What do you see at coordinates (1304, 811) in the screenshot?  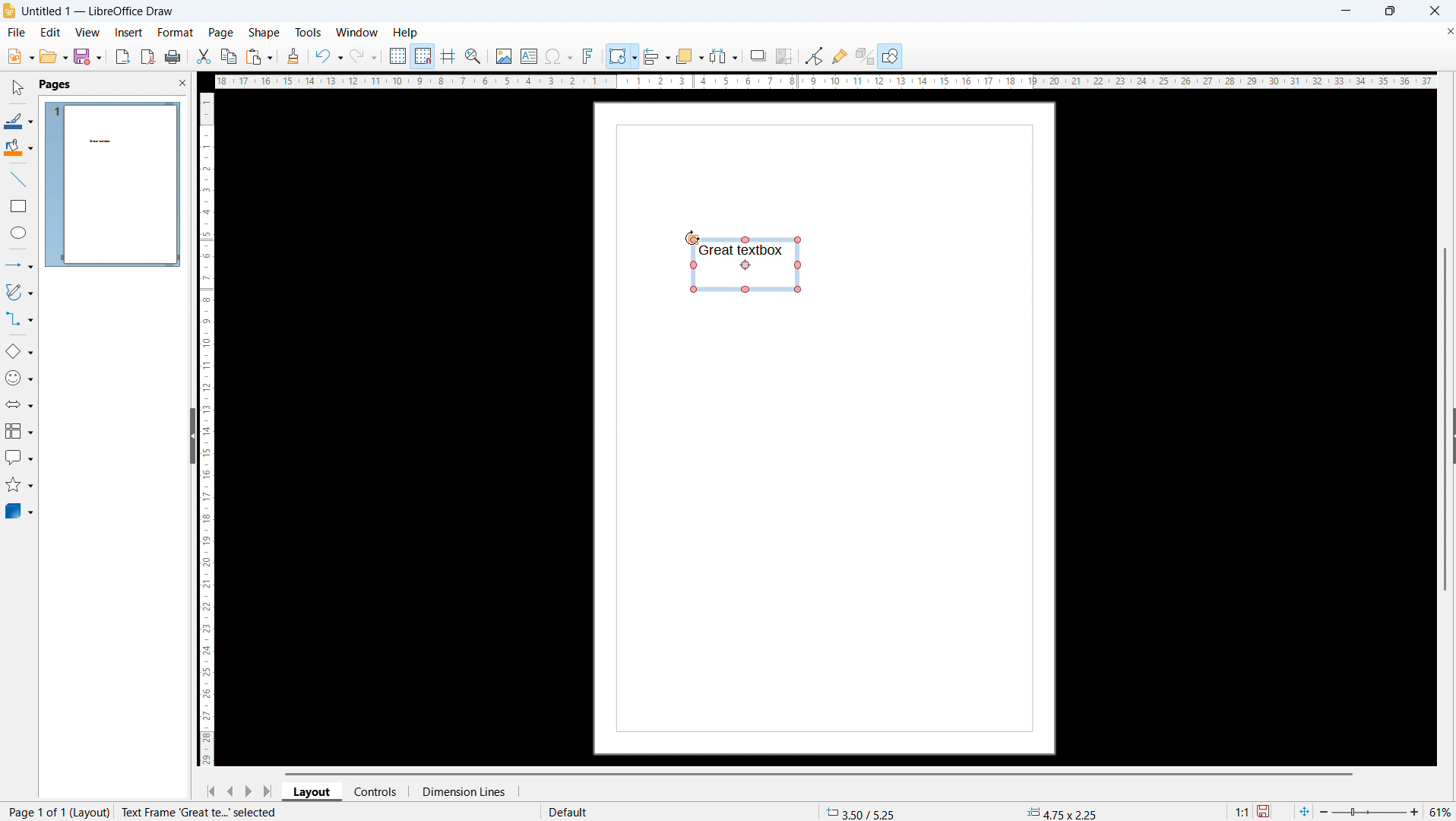 I see `fit to page ` at bounding box center [1304, 811].